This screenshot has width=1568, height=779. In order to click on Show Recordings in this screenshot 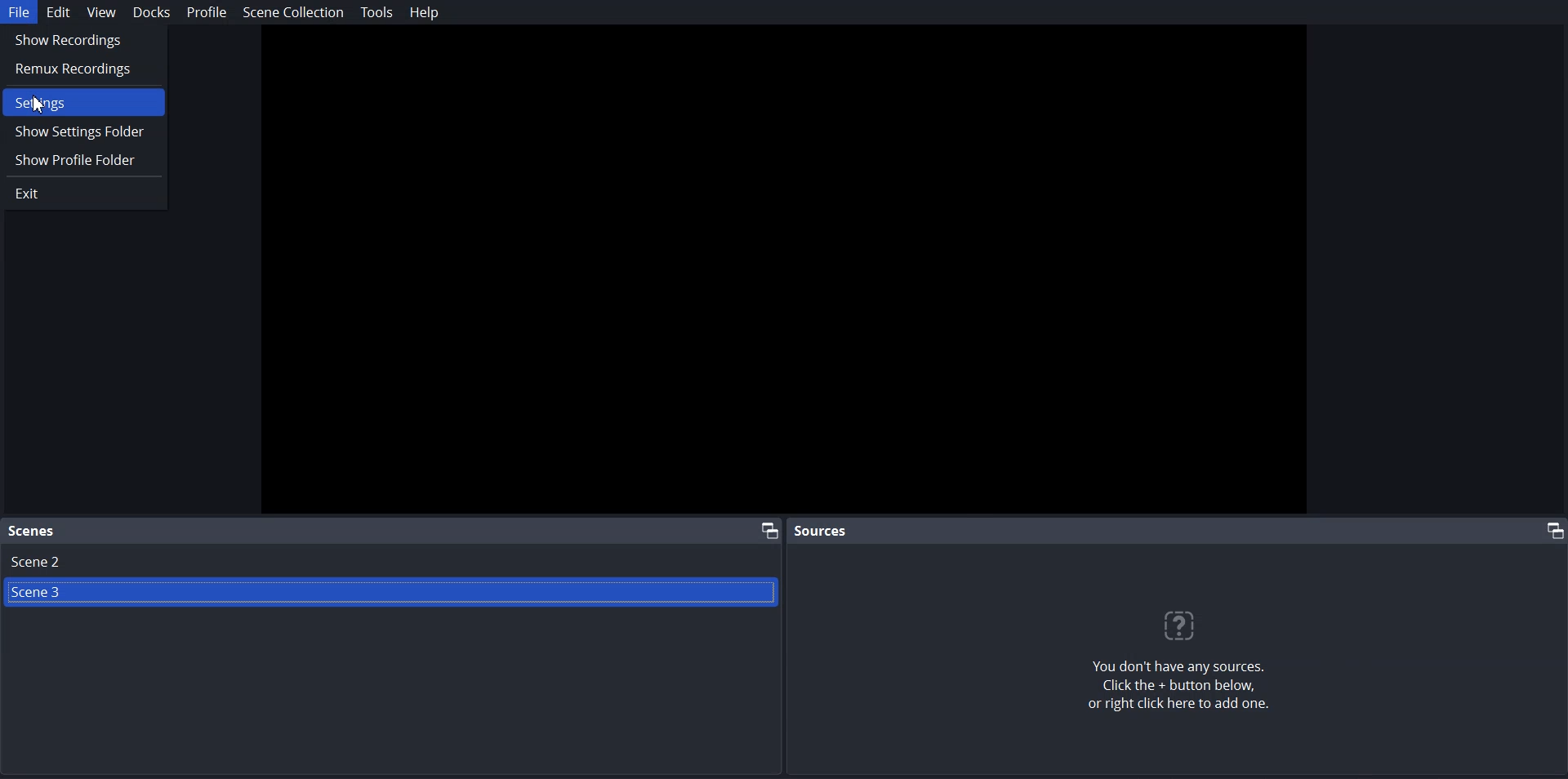, I will do `click(83, 40)`.